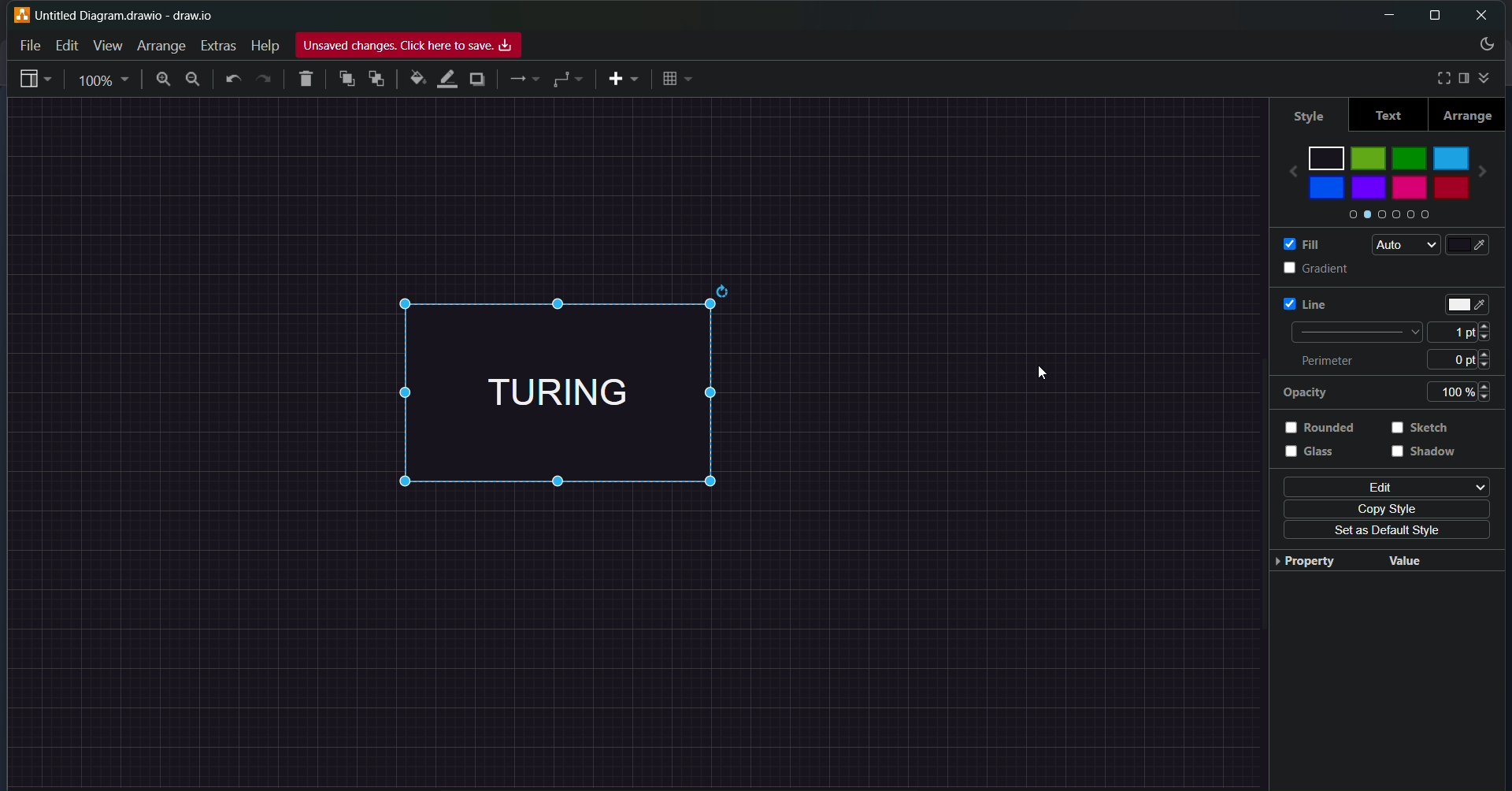 This screenshot has height=791, width=1512. Describe the element at coordinates (161, 45) in the screenshot. I see `Arrange` at that location.